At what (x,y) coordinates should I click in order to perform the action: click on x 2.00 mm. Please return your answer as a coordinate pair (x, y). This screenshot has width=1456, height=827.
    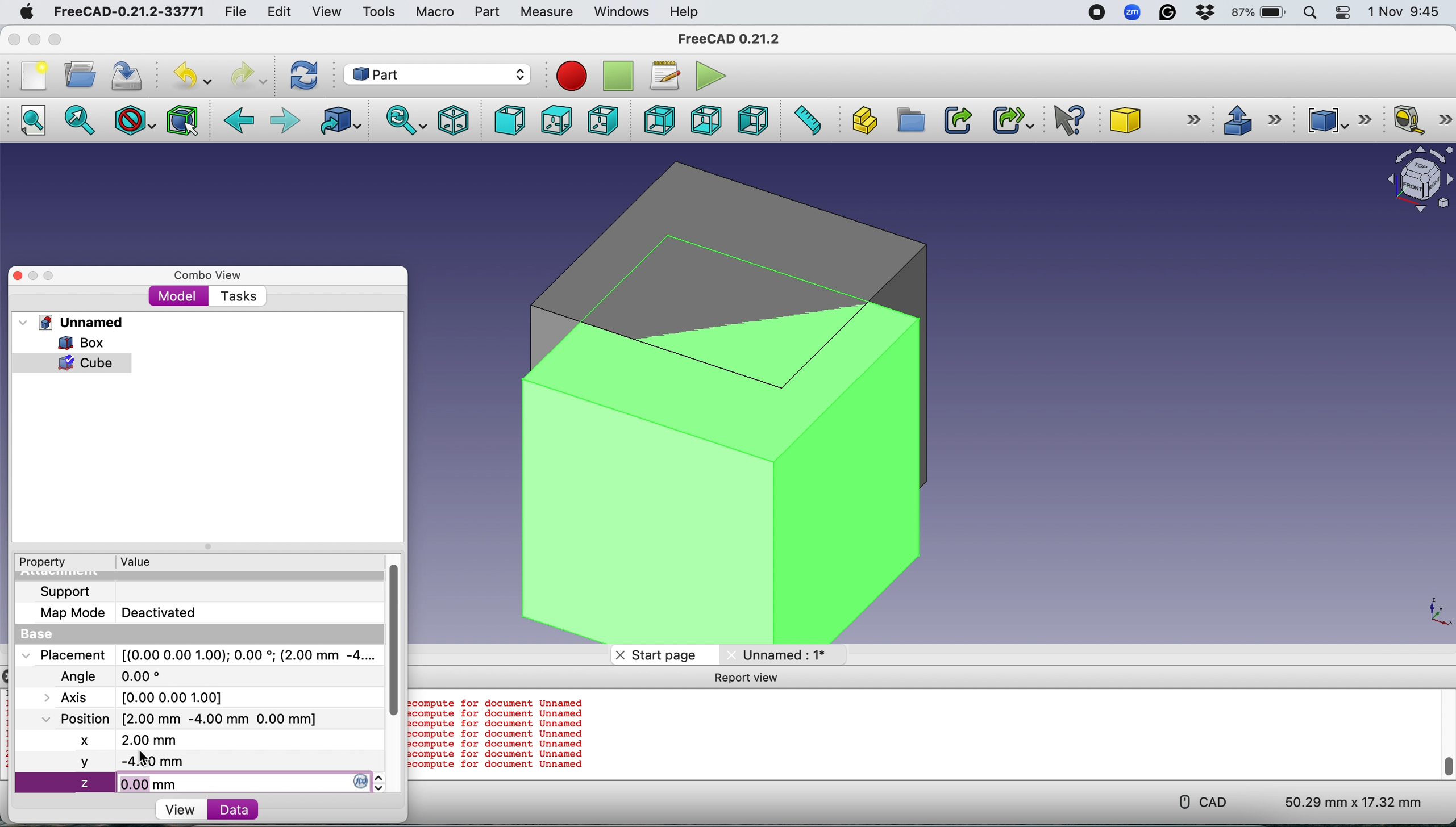
    Looking at the image, I should click on (192, 738).